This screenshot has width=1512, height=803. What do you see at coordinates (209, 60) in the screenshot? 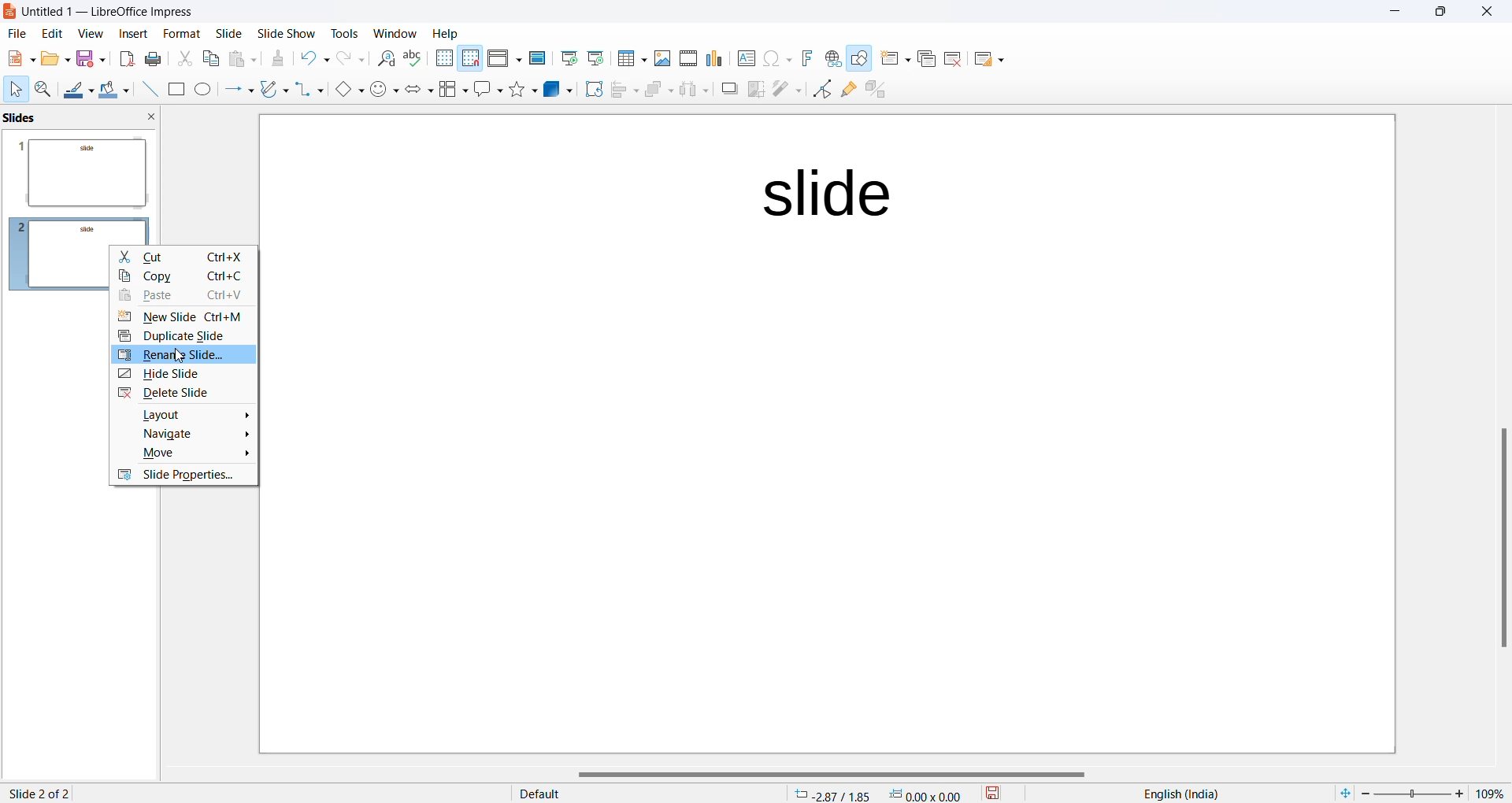
I see `Copy` at bounding box center [209, 60].